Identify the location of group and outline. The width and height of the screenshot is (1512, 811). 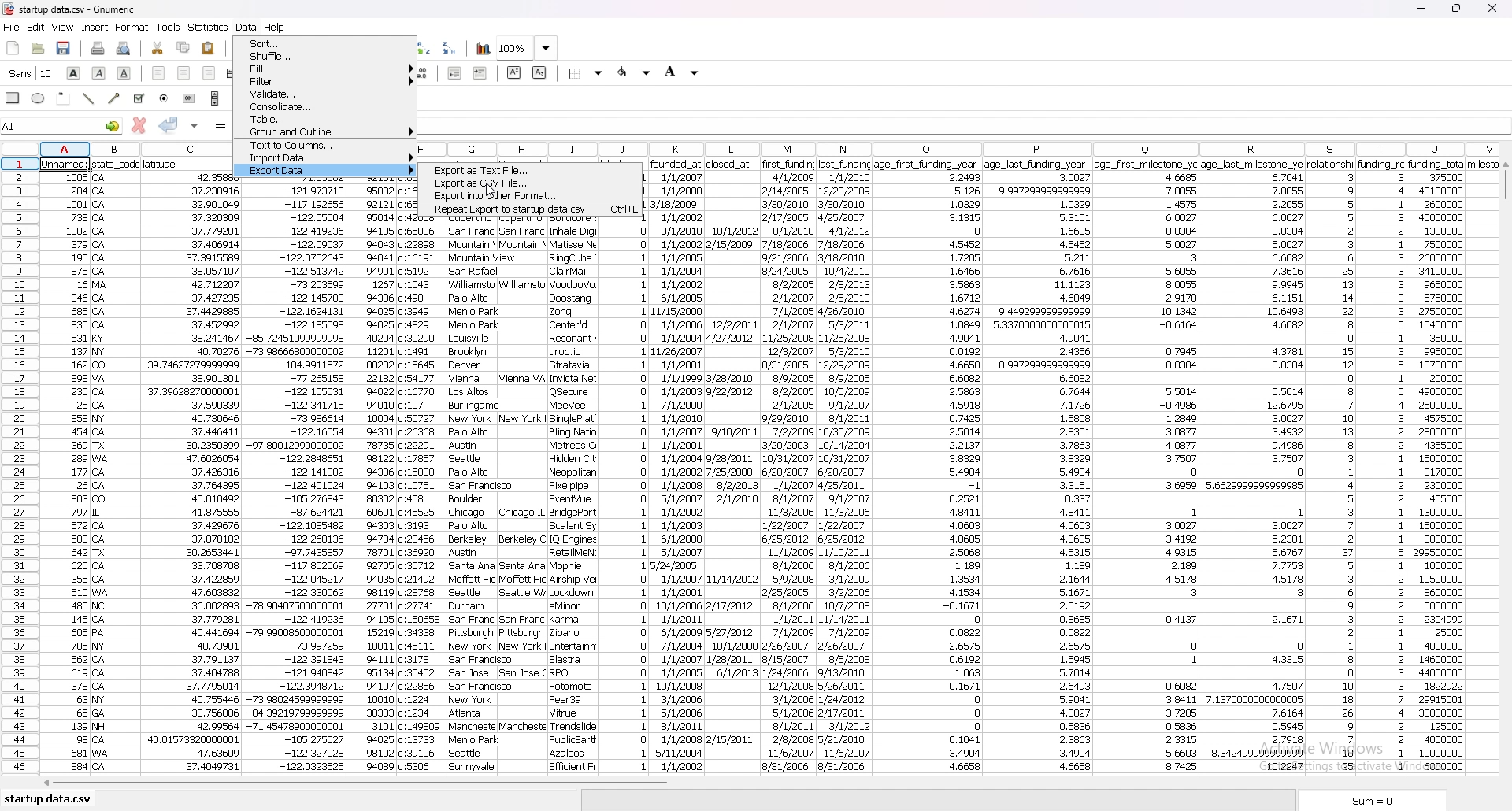
(325, 131).